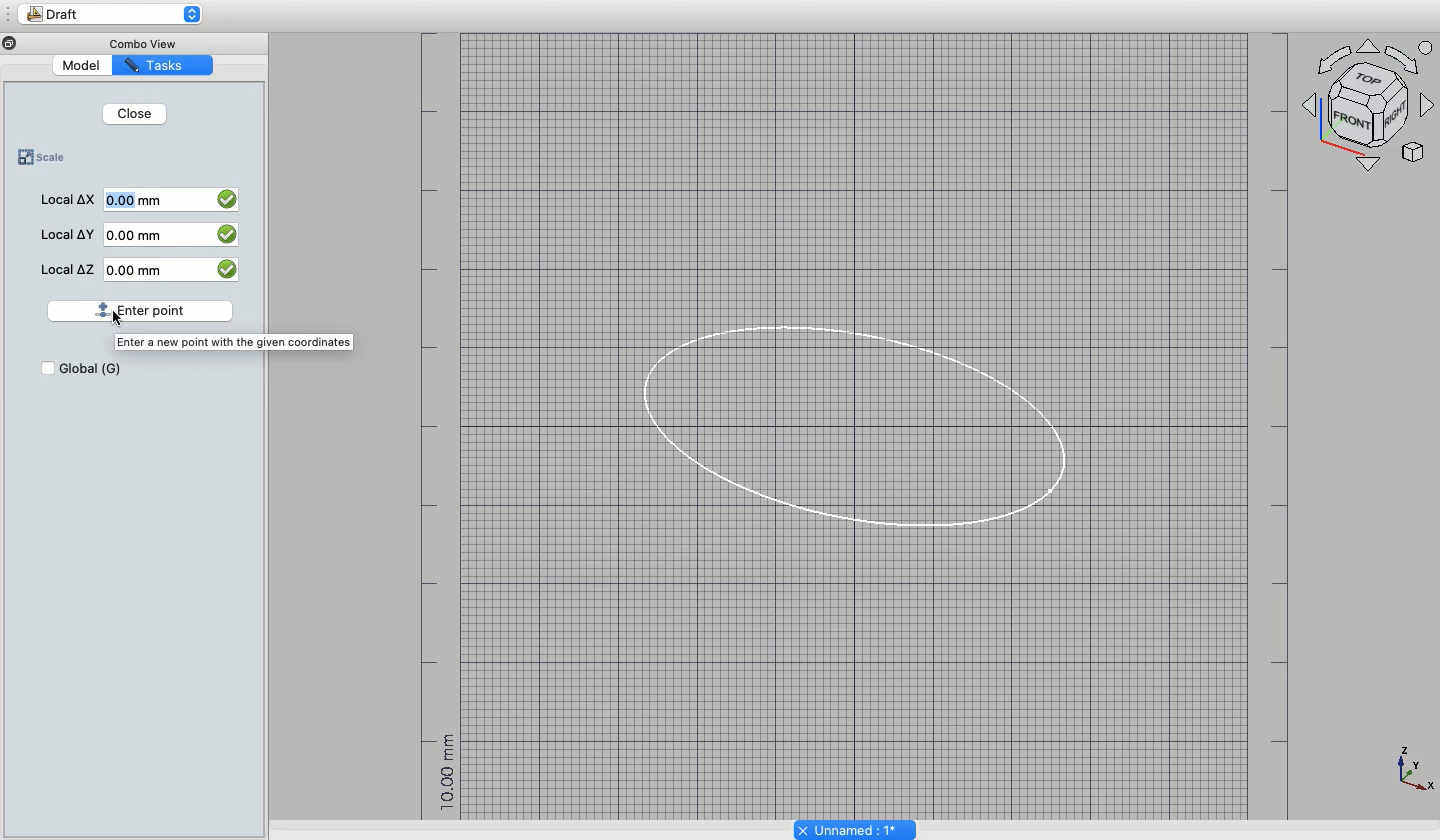 The width and height of the screenshot is (1440, 840). I want to click on Local X, so click(66, 200).